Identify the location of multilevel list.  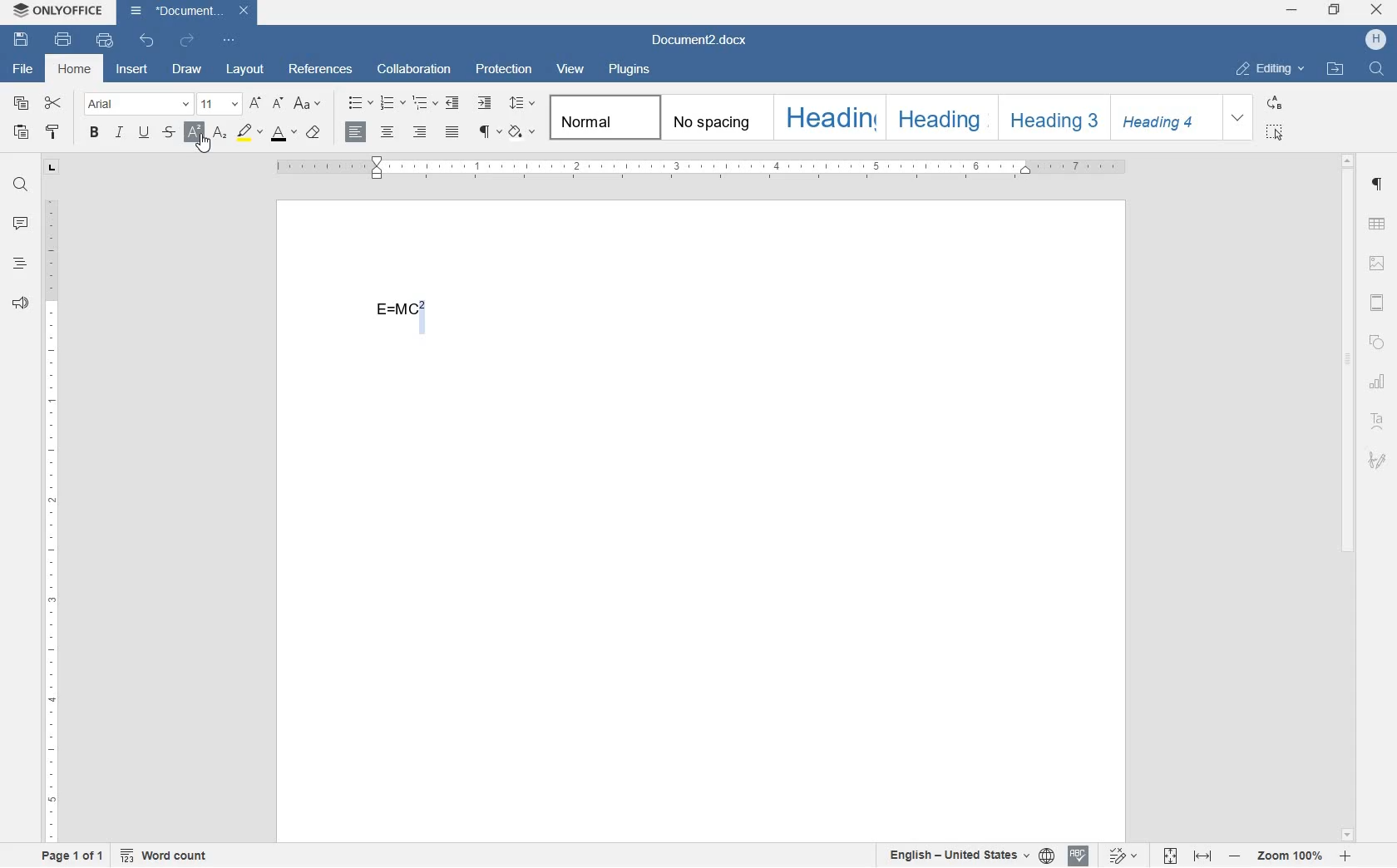
(426, 103).